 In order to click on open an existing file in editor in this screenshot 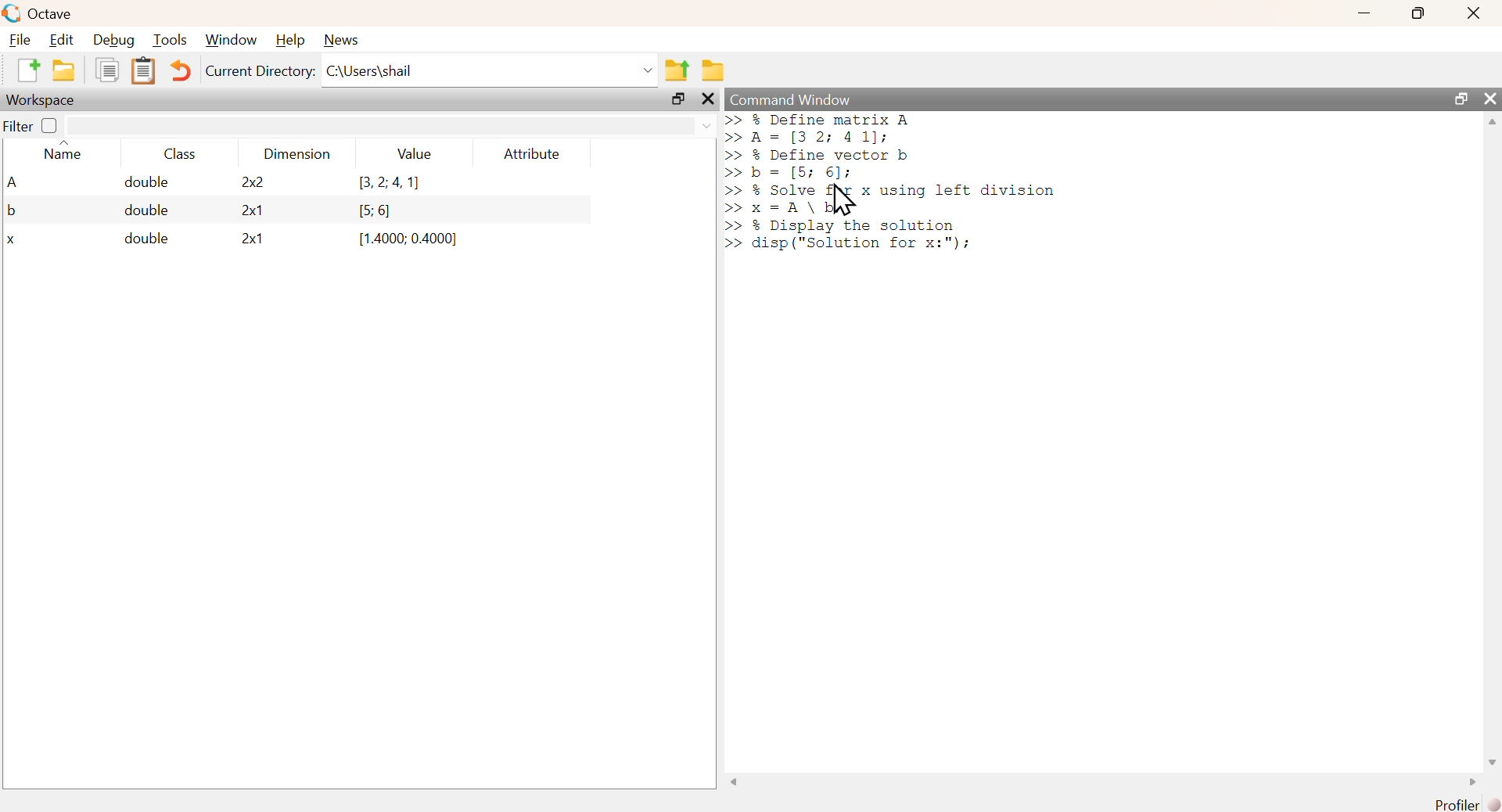, I will do `click(63, 71)`.